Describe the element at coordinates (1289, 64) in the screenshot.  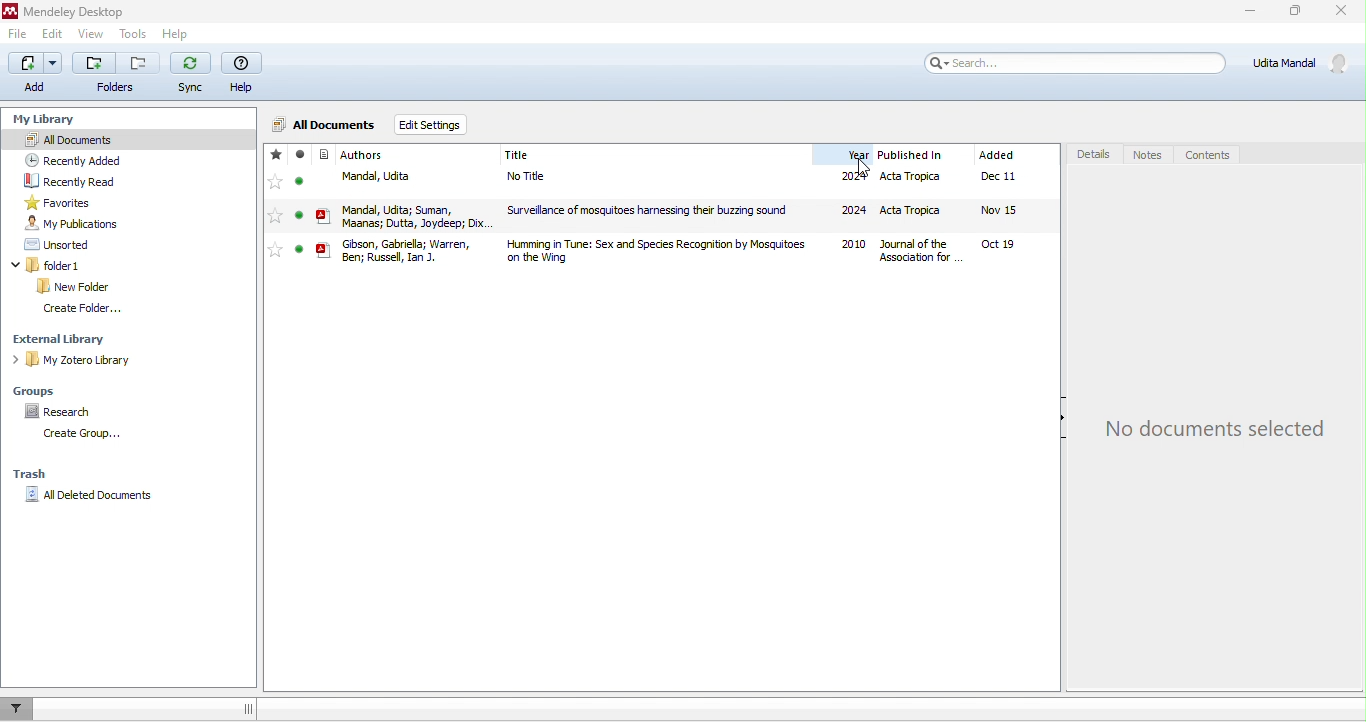
I see `Udit Mandal` at that location.